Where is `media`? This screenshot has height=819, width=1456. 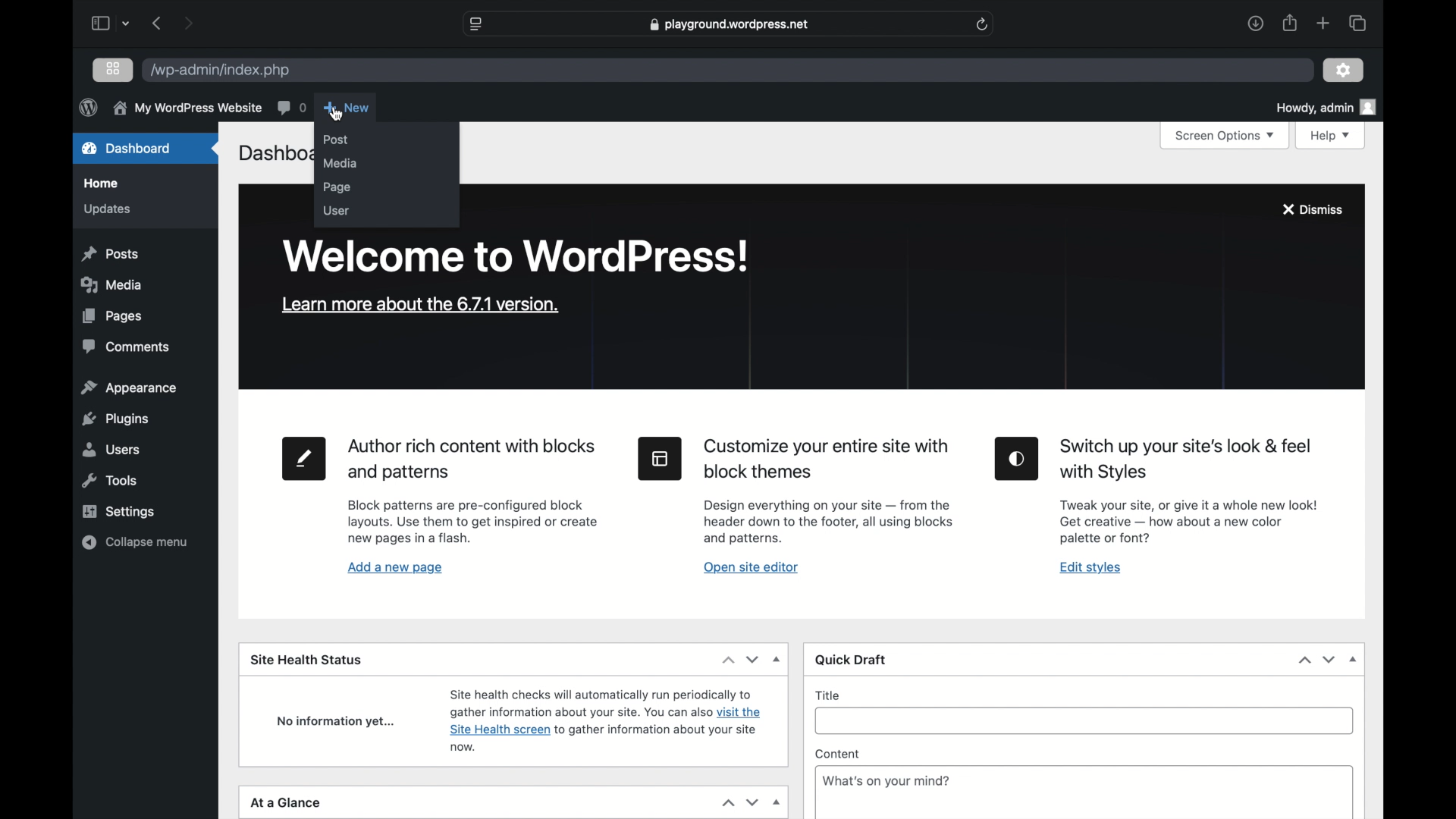 media is located at coordinates (115, 284).